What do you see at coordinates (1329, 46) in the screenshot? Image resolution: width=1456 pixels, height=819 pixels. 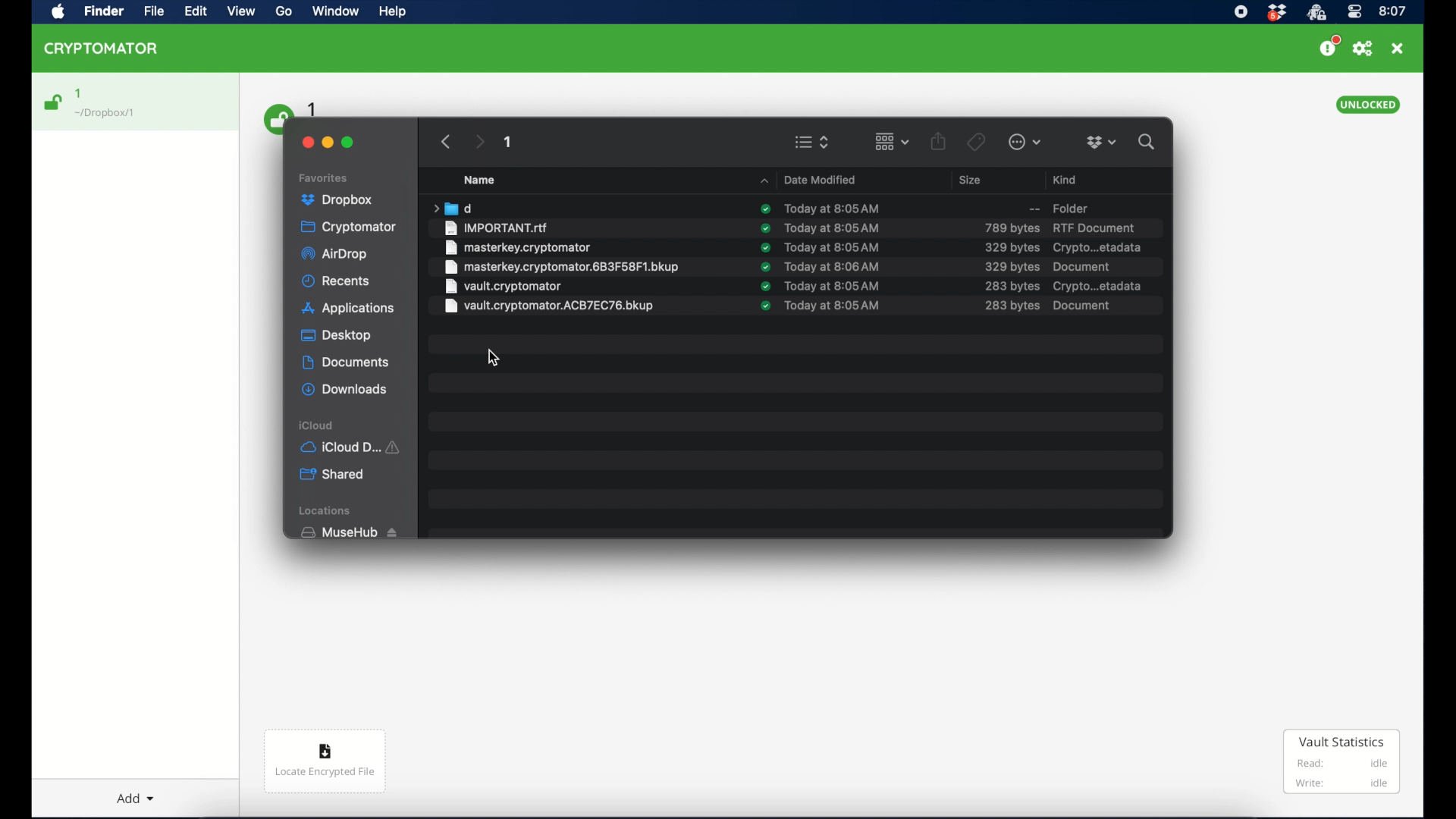 I see `support us` at bounding box center [1329, 46].